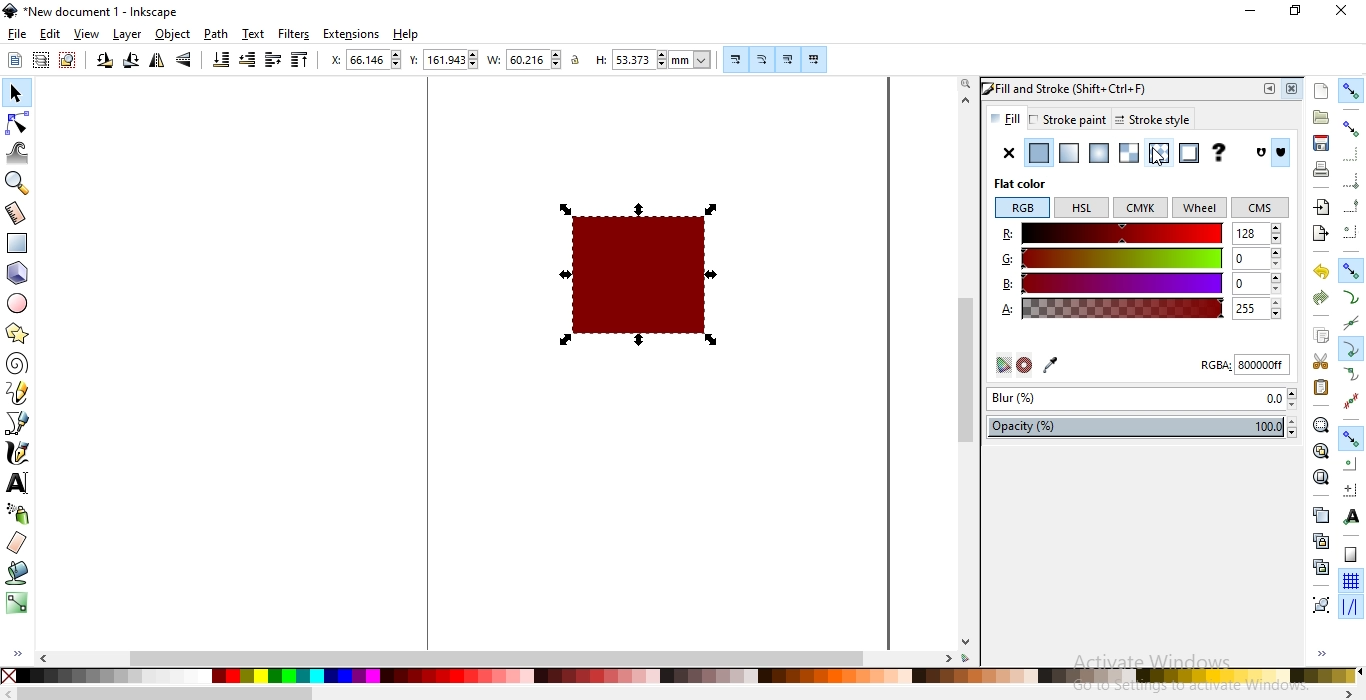 The width and height of the screenshot is (1366, 700). I want to click on lower selection to bottom, so click(222, 60).